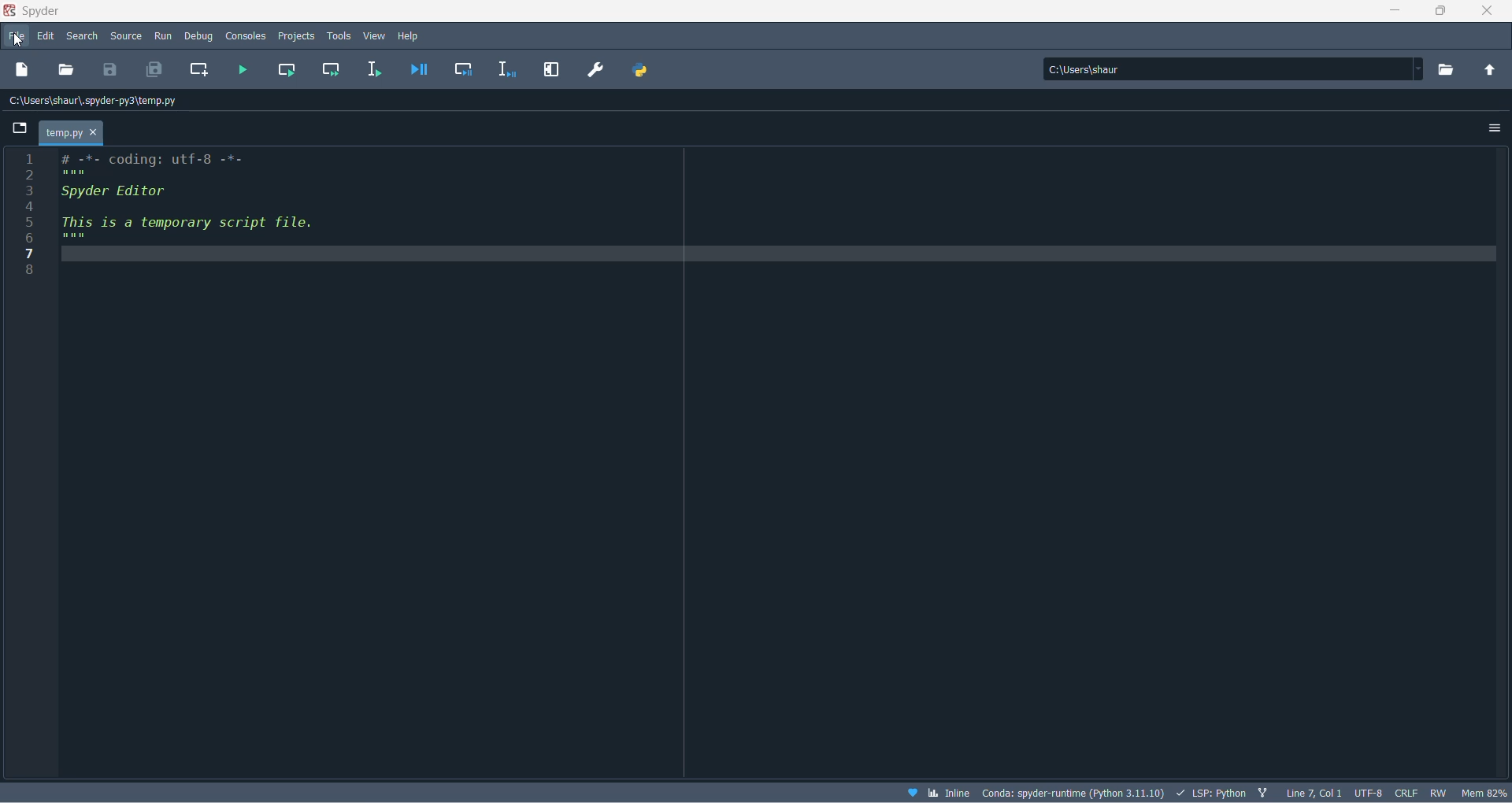  Describe the element at coordinates (374, 35) in the screenshot. I see `view` at that location.